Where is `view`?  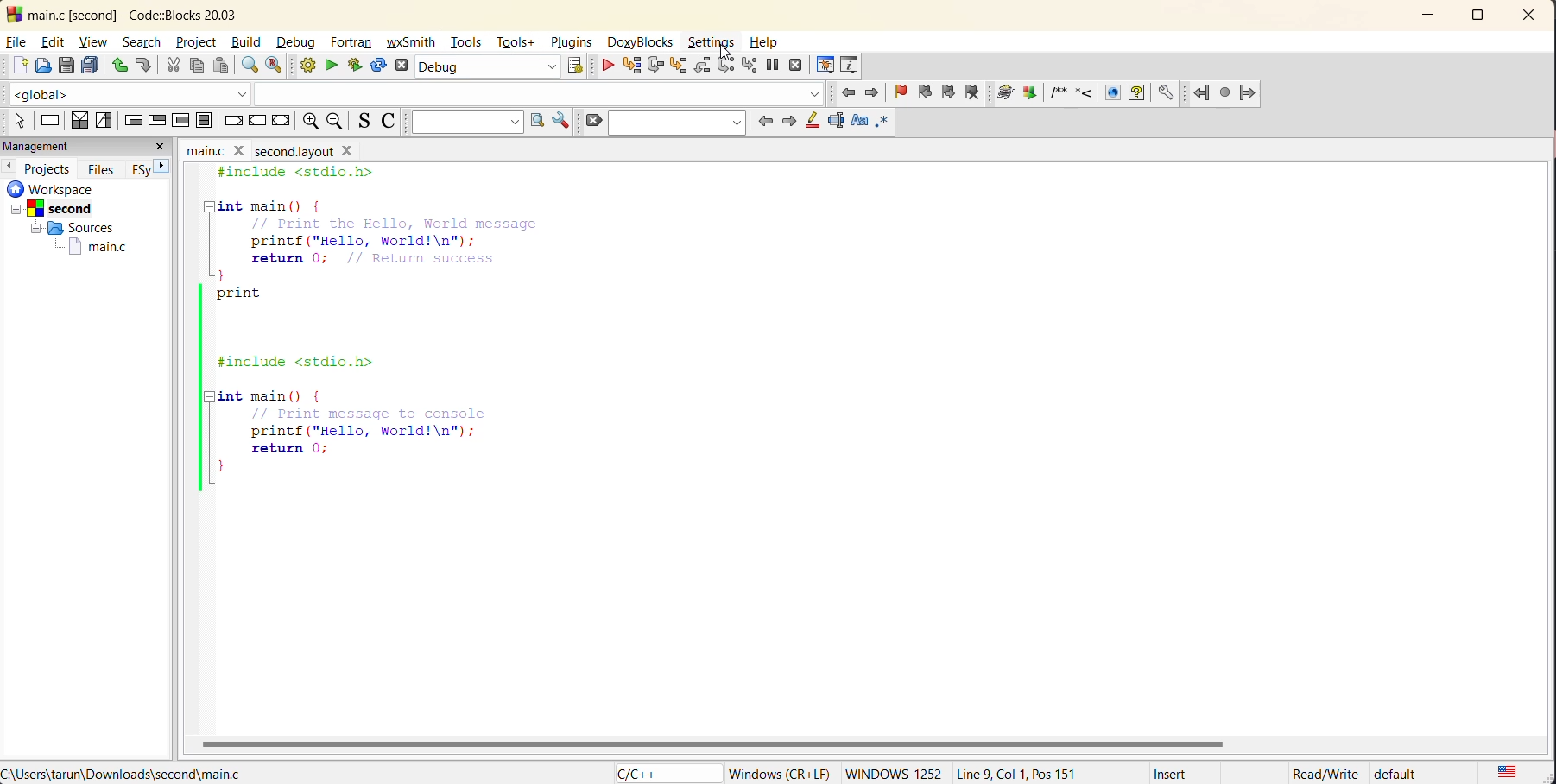 view is located at coordinates (98, 42).